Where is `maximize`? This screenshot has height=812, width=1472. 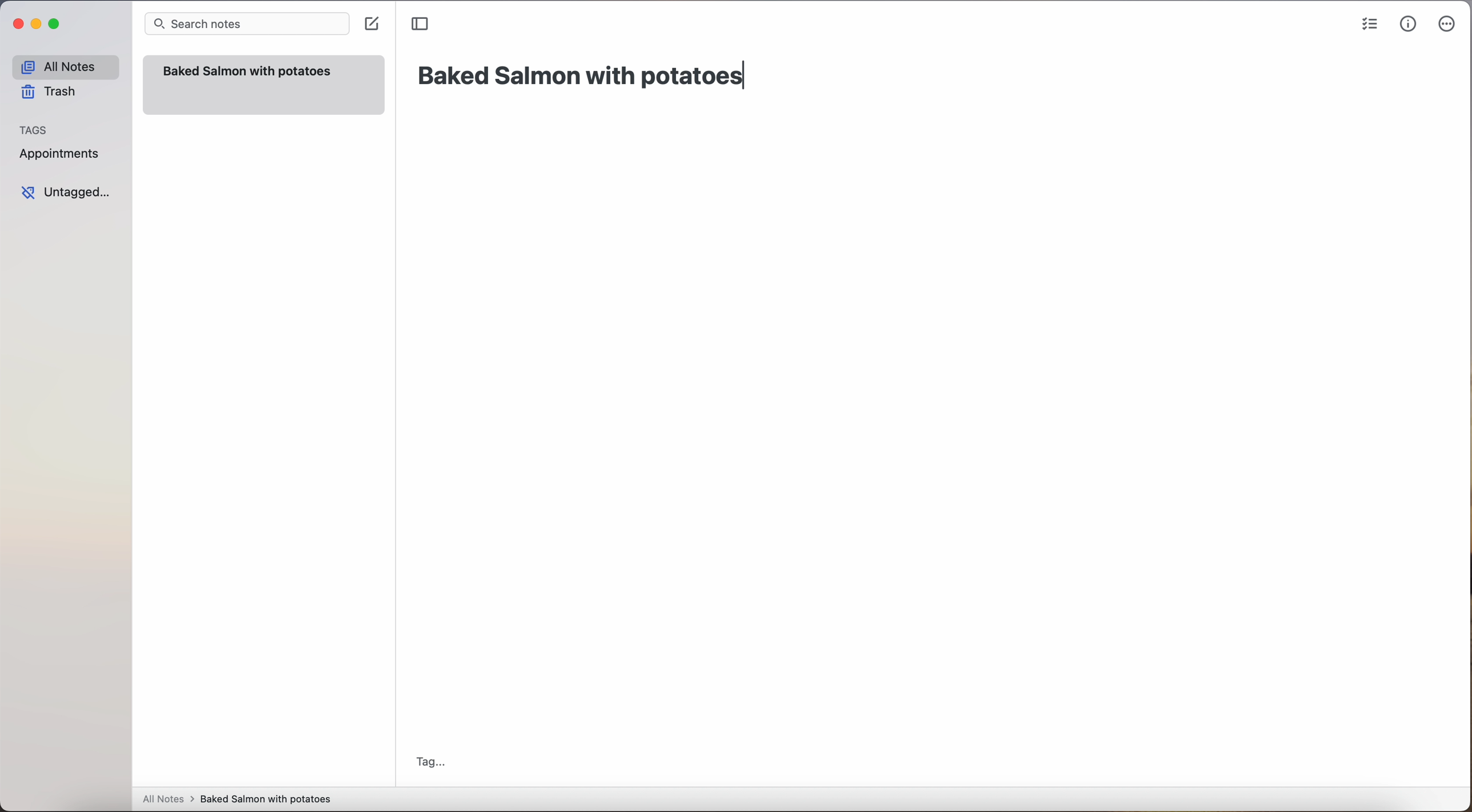
maximize is located at coordinates (56, 23).